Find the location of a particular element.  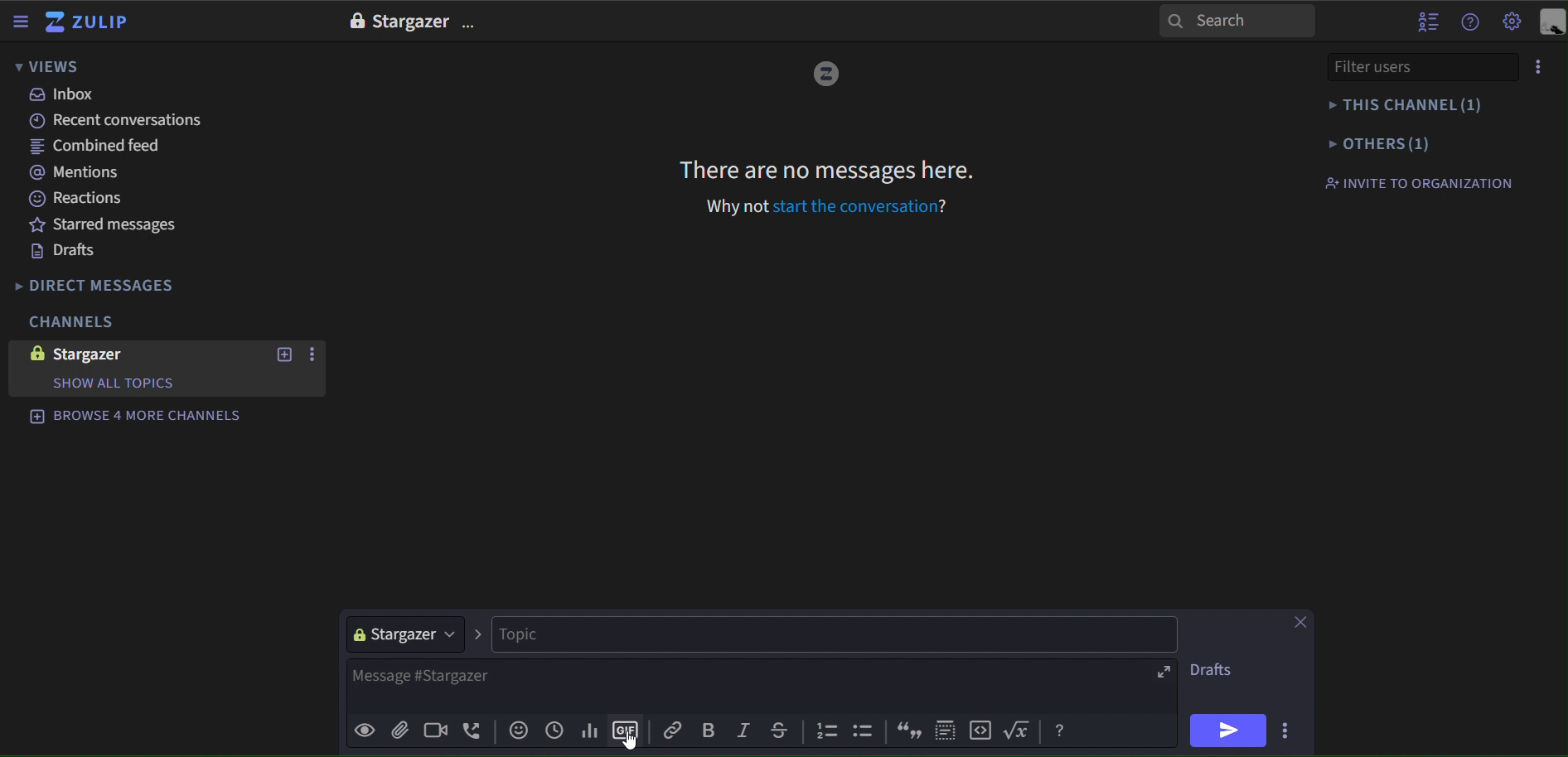

add global time is located at coordinates (554, 730).